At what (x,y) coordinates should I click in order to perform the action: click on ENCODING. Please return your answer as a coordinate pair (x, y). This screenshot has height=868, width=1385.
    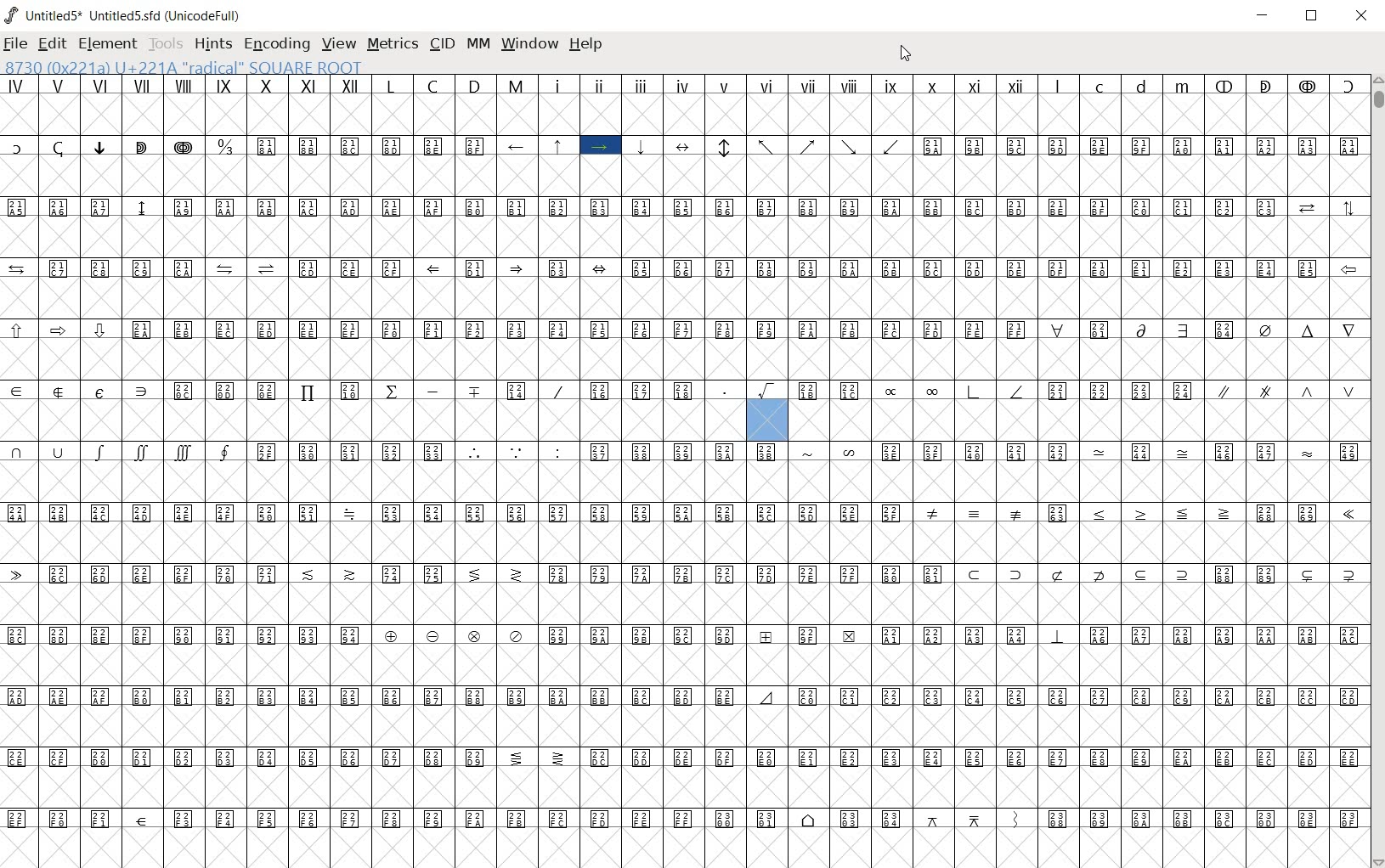
    Looking at the image, I should click on (276, 45).